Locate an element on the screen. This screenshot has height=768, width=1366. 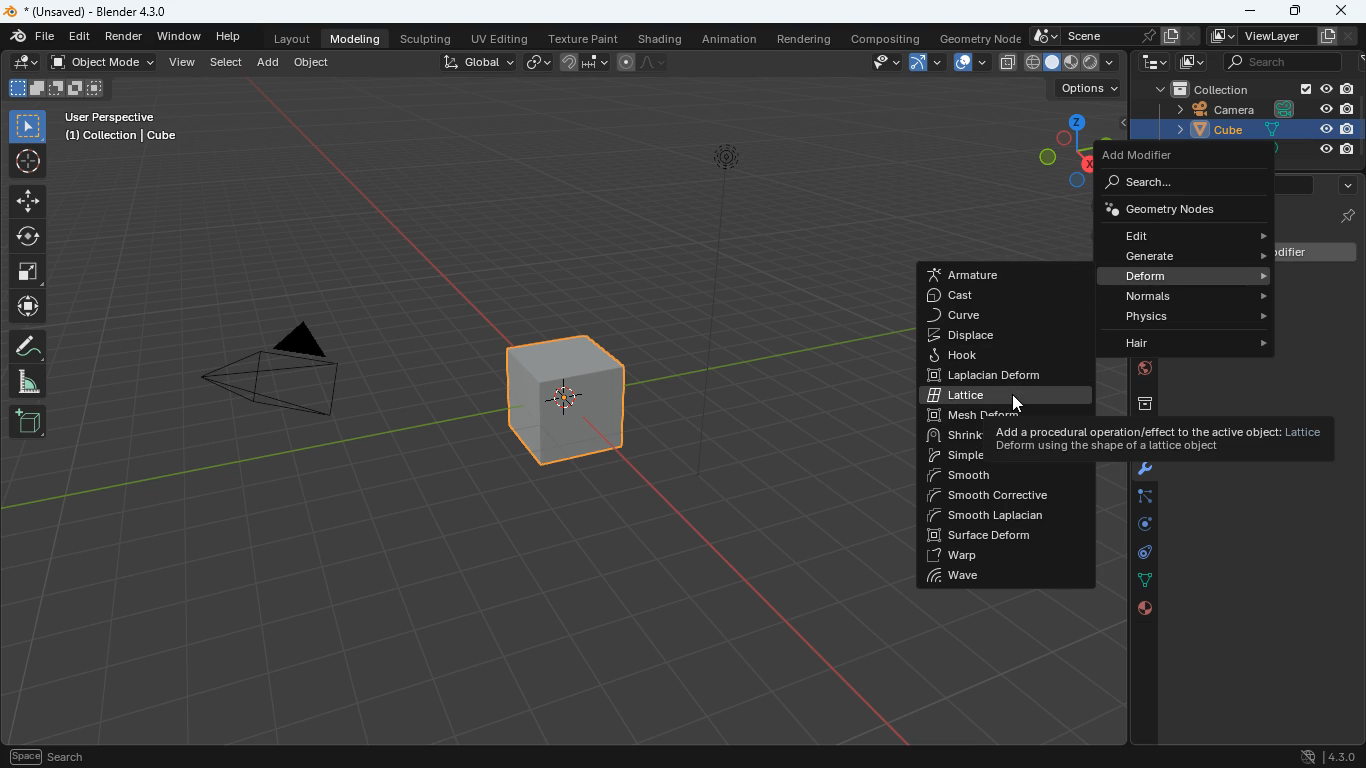
maximize is located at coordinates (1296, 12).